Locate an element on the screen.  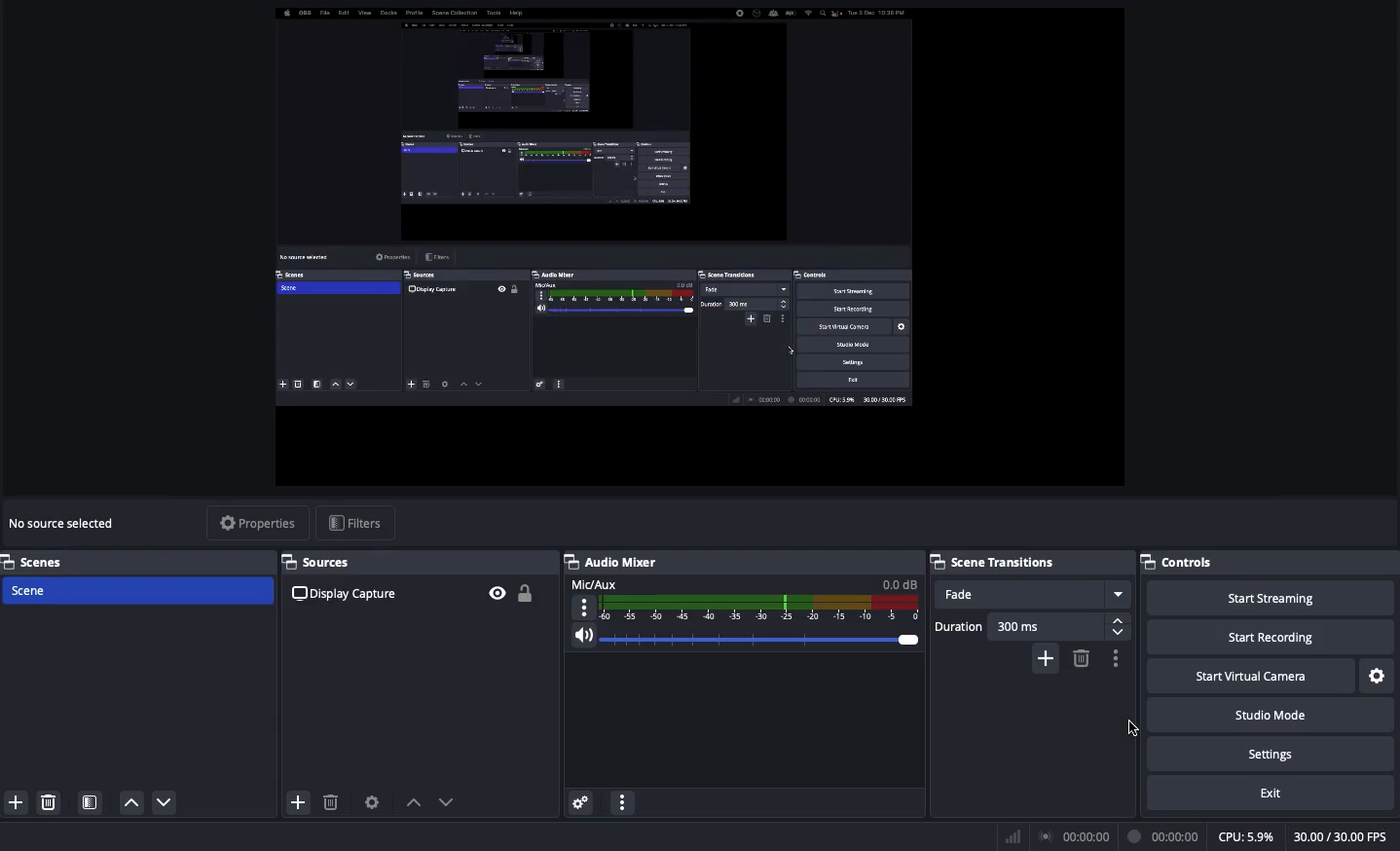
Settings is located at coordinates (1298, 754).